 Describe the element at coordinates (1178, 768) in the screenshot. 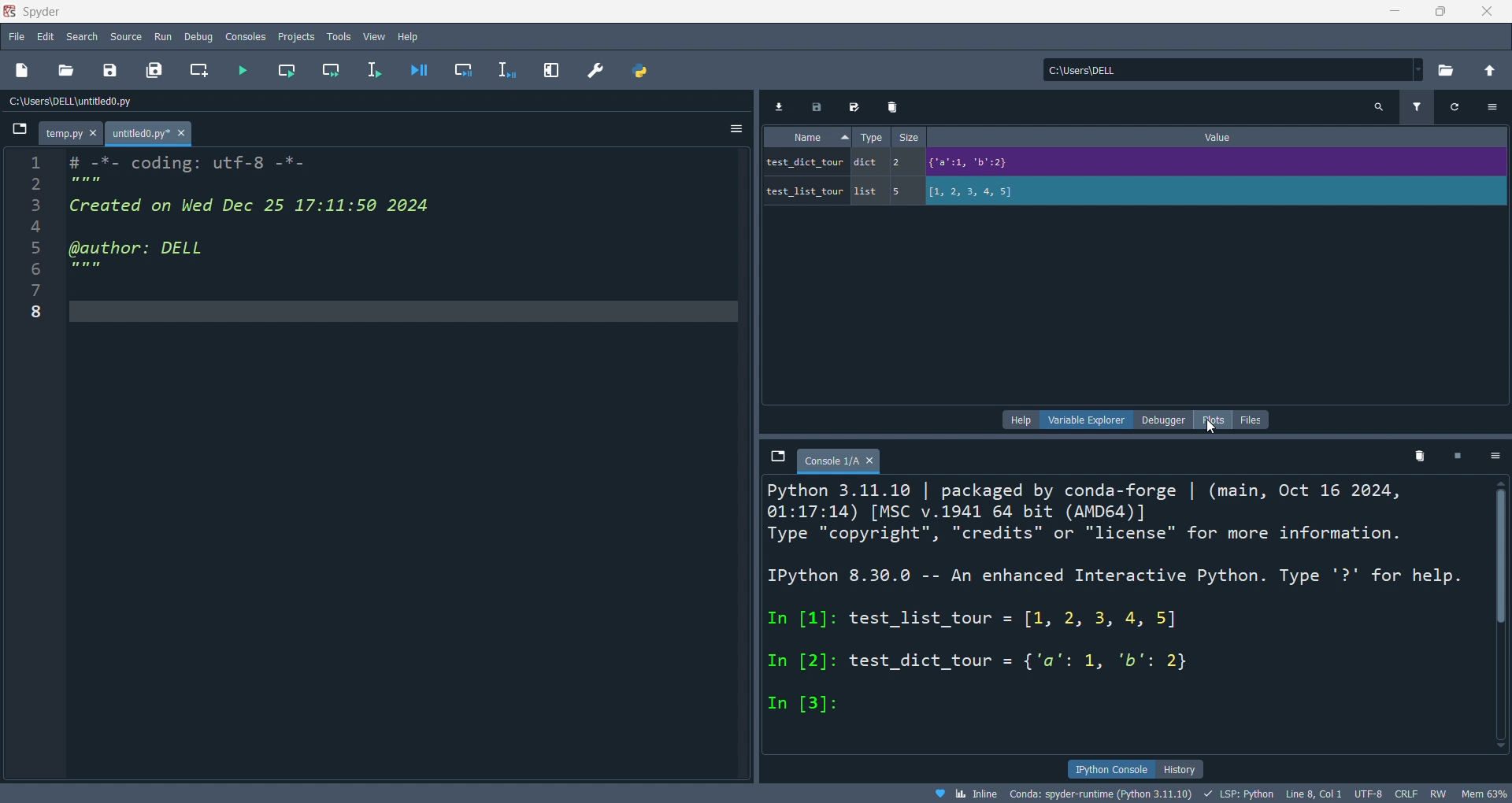

I see `history` at that location.